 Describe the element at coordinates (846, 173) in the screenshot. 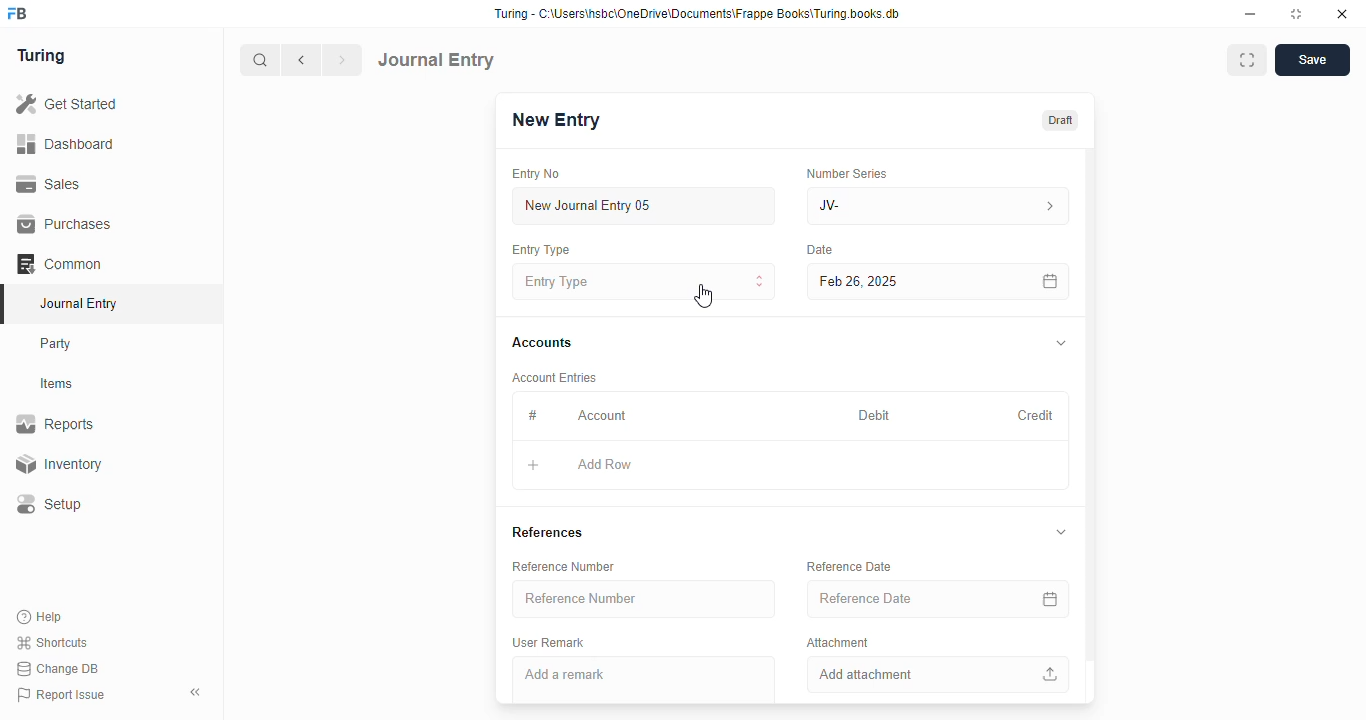

I see `number series` at that location.